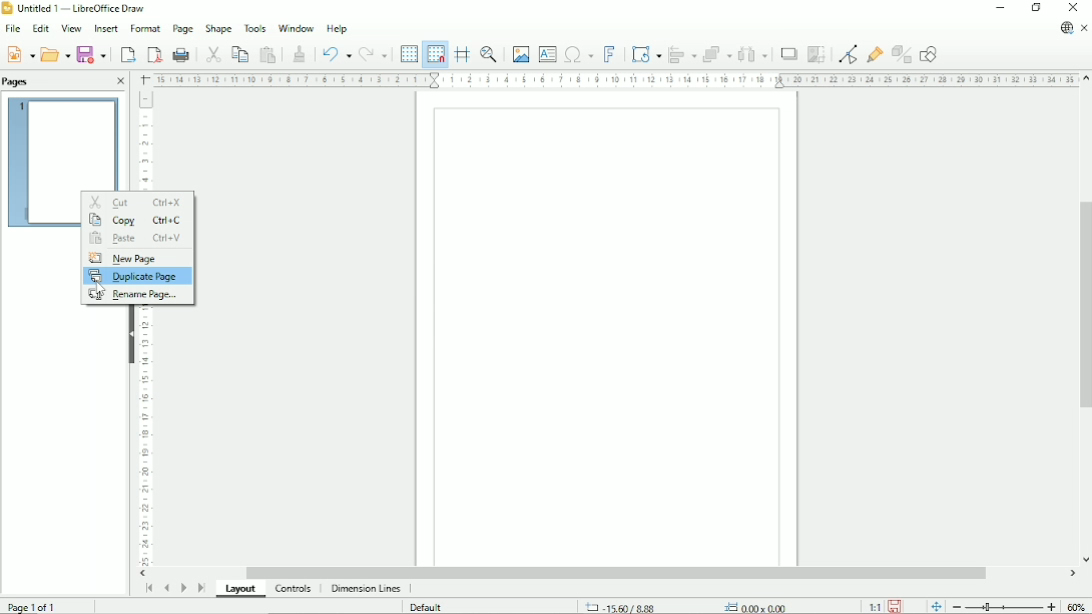  Describe the element at coordinates (33, 605) in the screenshot. I see `Page 1 of 1` at that location.